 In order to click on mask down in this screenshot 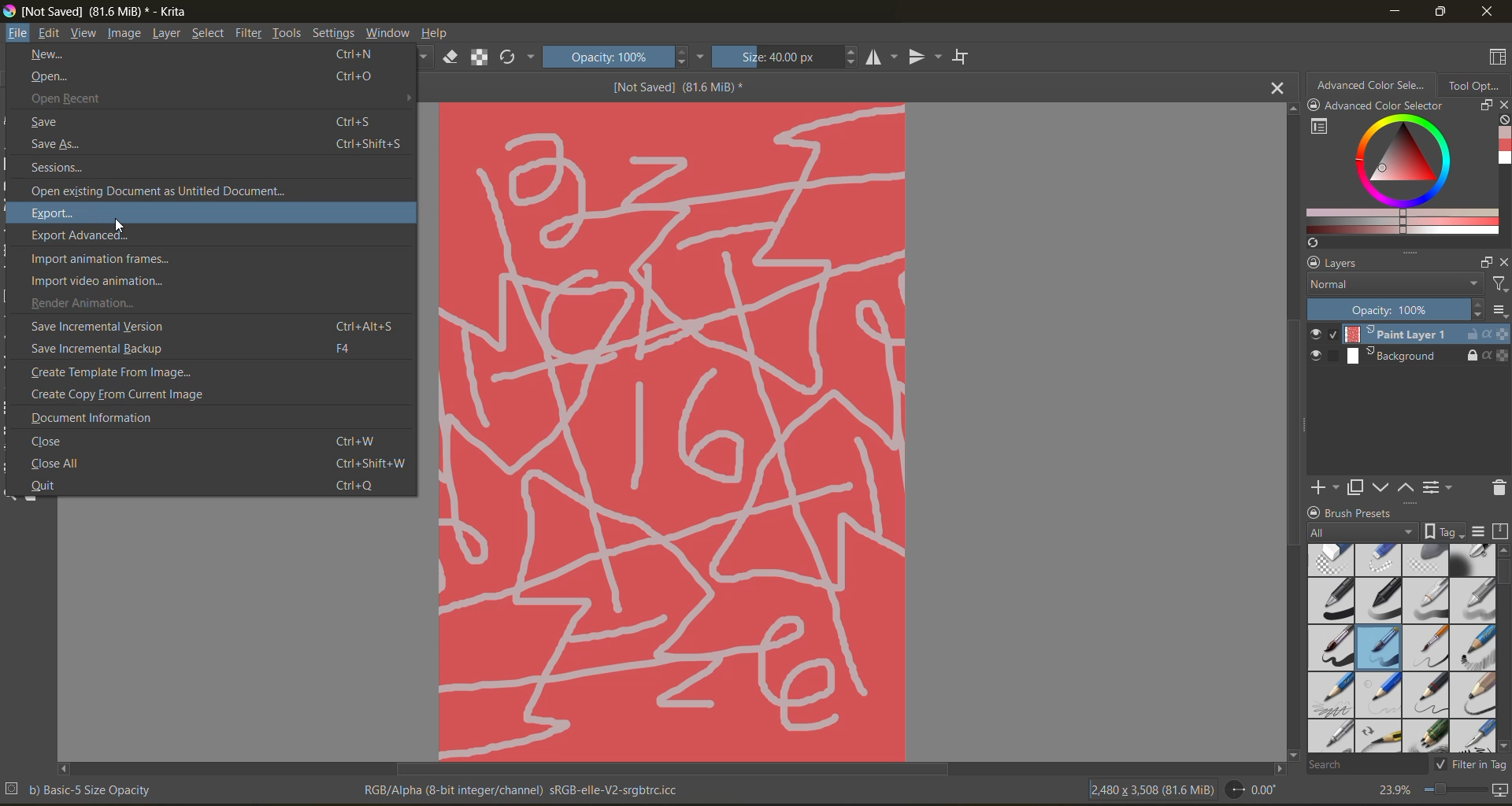, I will do `click(1380, 488)`.